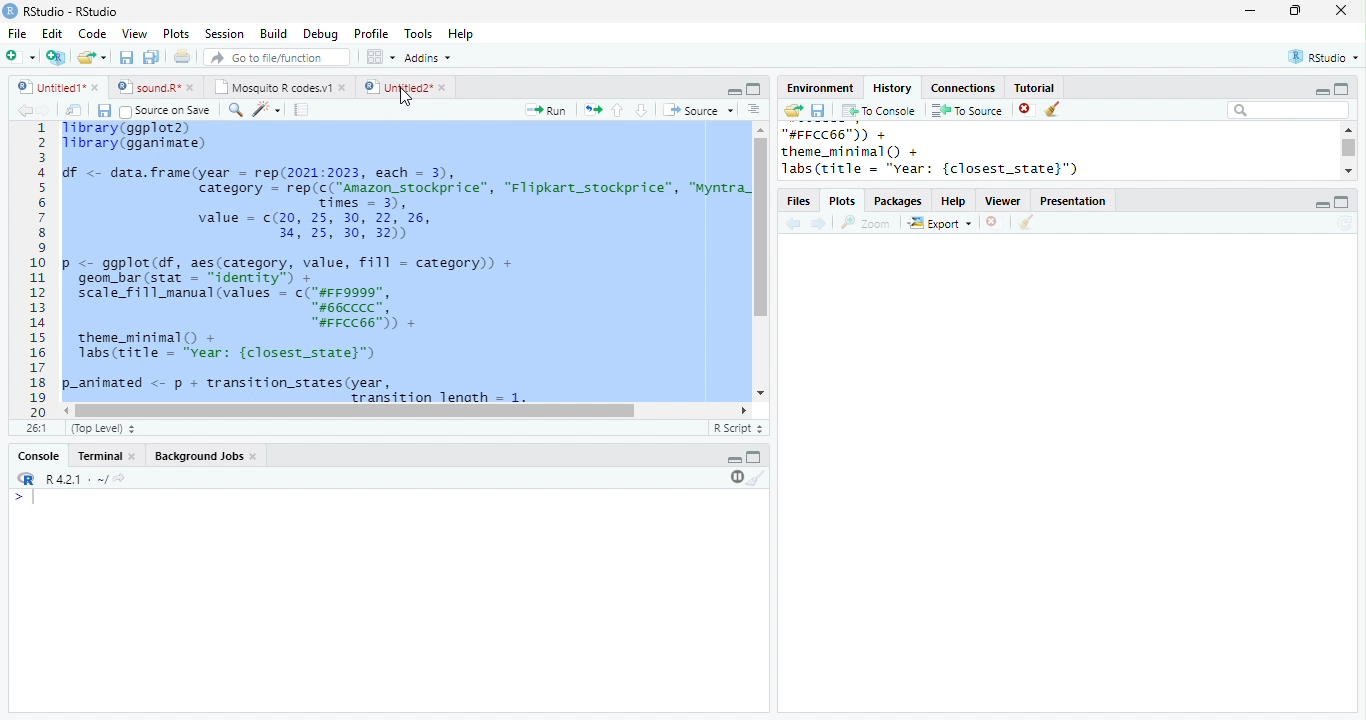 The height and width of the screenshot is (720, 1366). Describe the element at coordinates (20, 57) in the screenshot. I see `new file` at that location.